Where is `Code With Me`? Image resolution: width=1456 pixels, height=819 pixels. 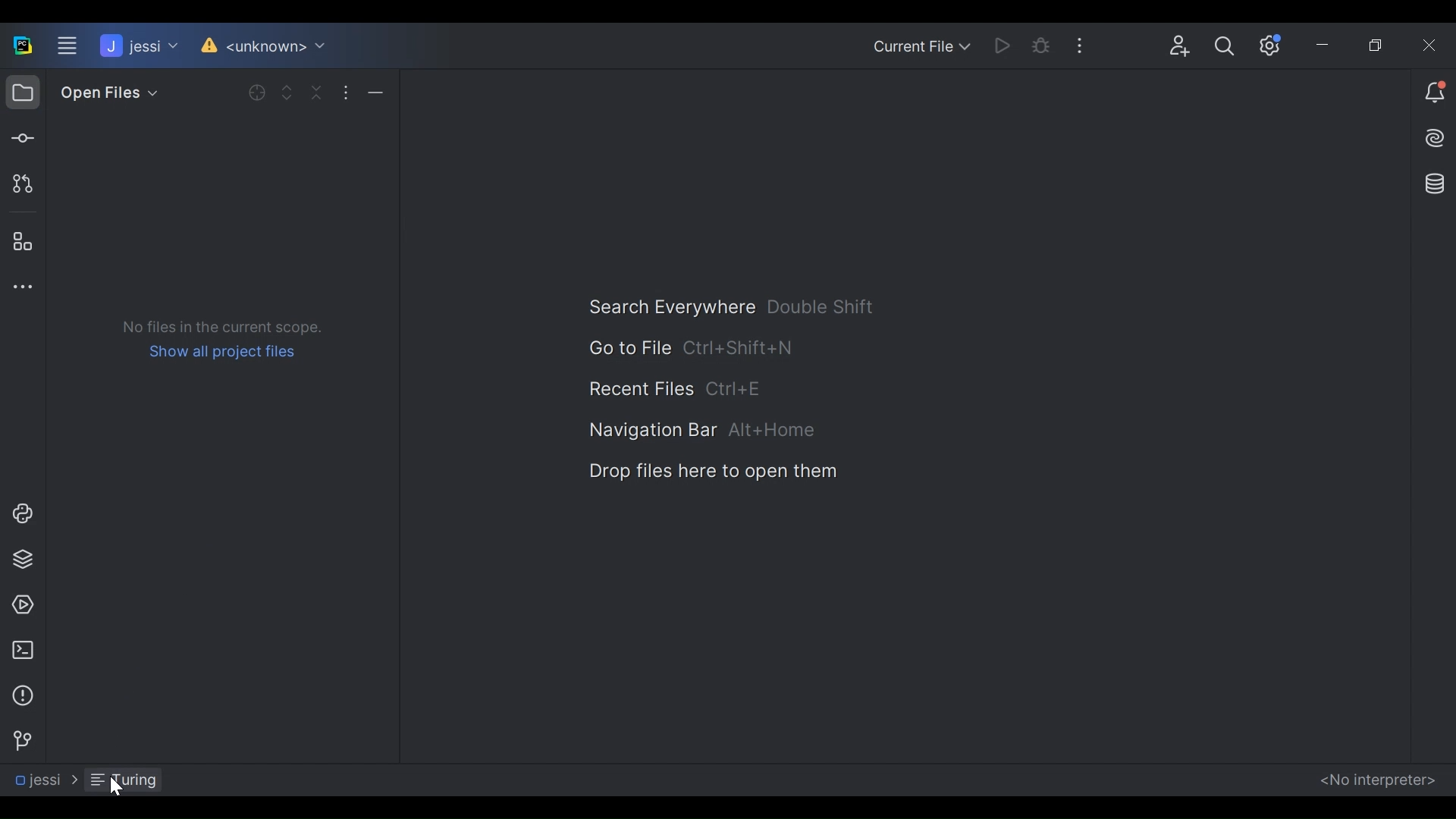
Code With Me is located at coordinates (1181, 46).